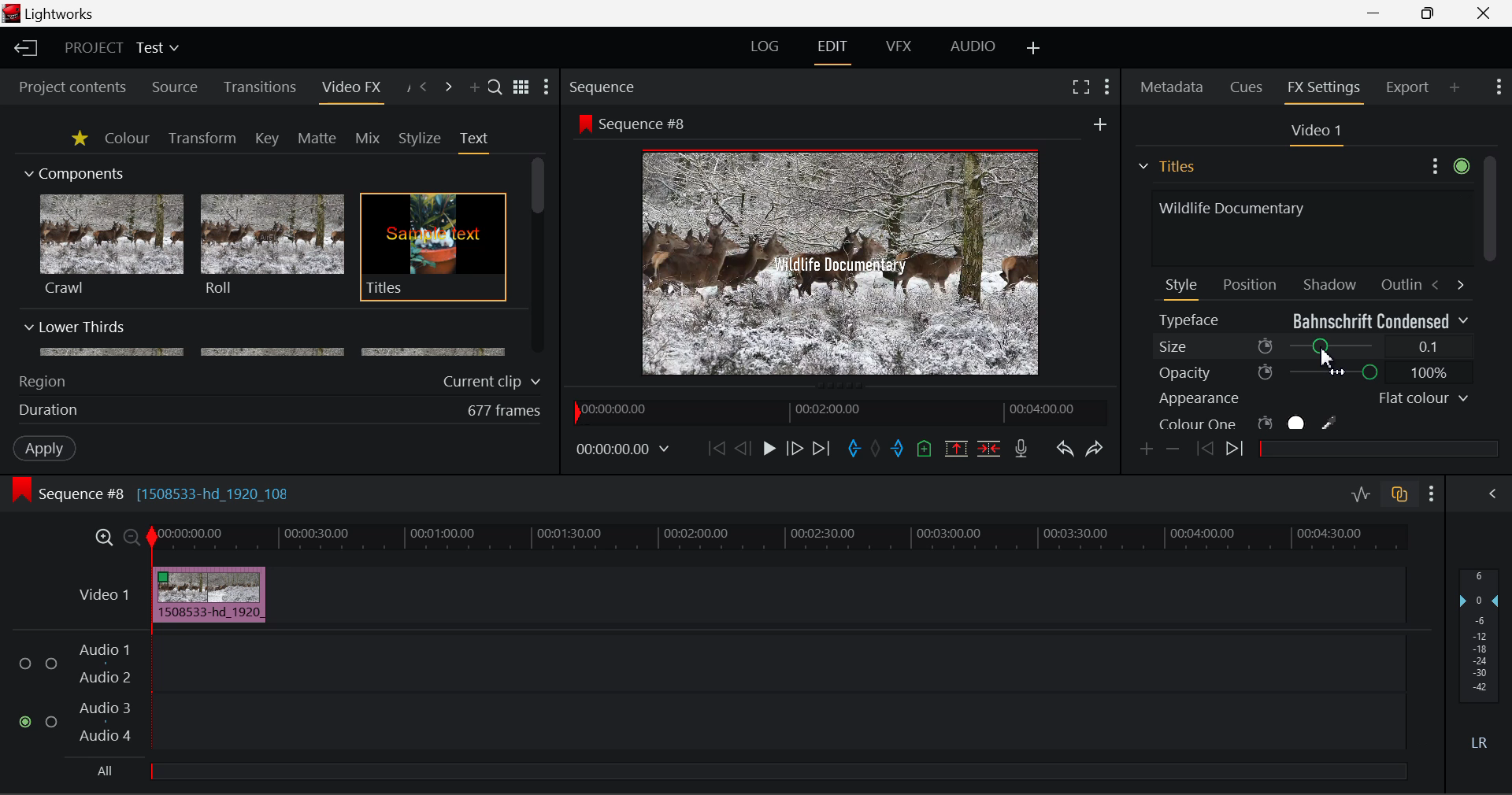 This screenshot has height=795, width=1512. What do you see at coordinates (505, 412) in the screenshot?
I see `677 frames` at bounding box center [505, 412].